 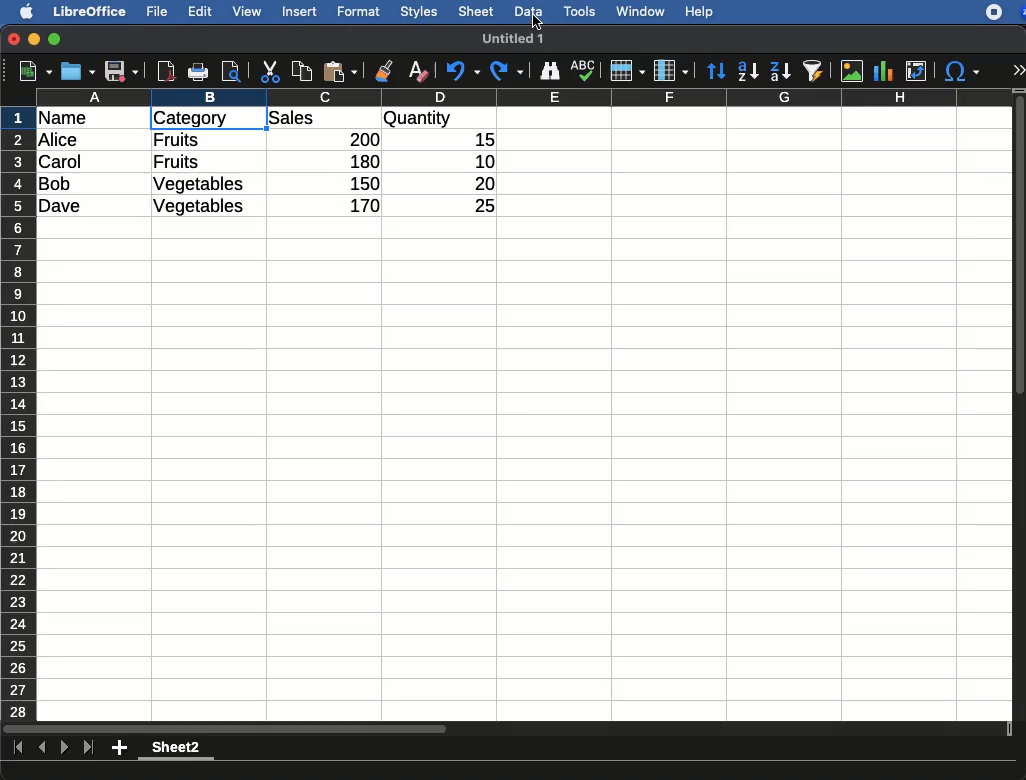 What do you see at coordinates (246, 118) in the screenshot?
I see `selected` at bounding box center [246, 118].